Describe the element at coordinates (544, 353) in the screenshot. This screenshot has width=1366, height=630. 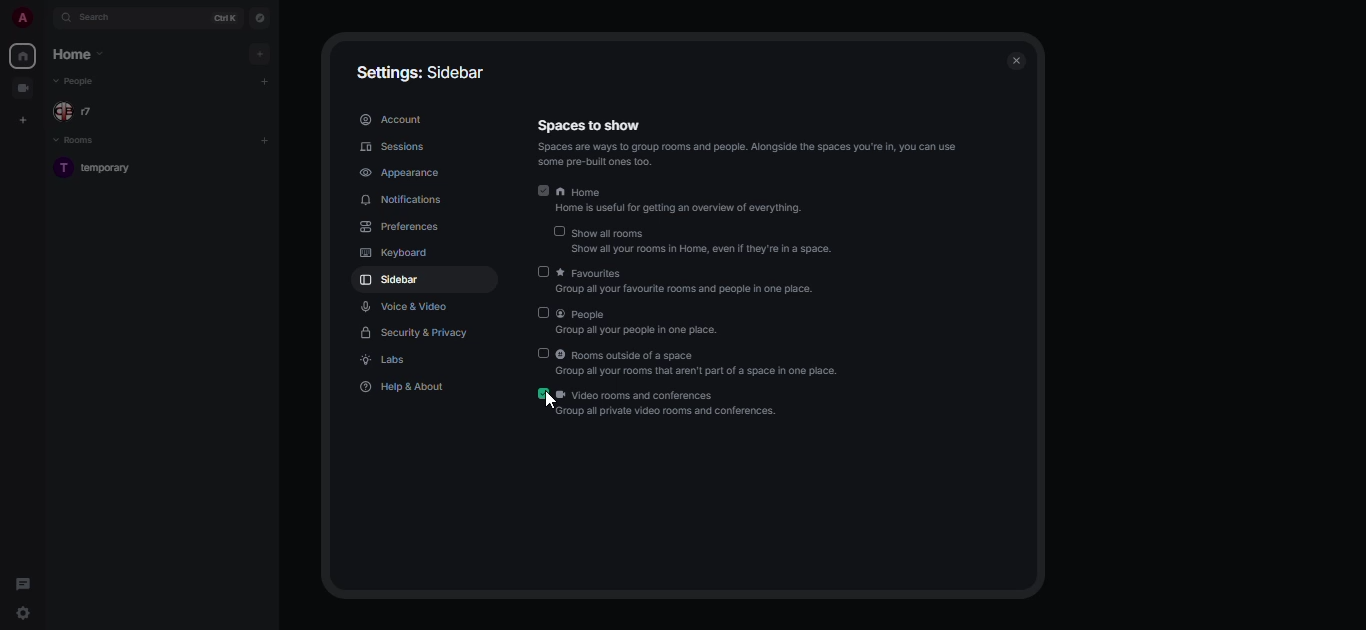
I see `disabled` at that location.